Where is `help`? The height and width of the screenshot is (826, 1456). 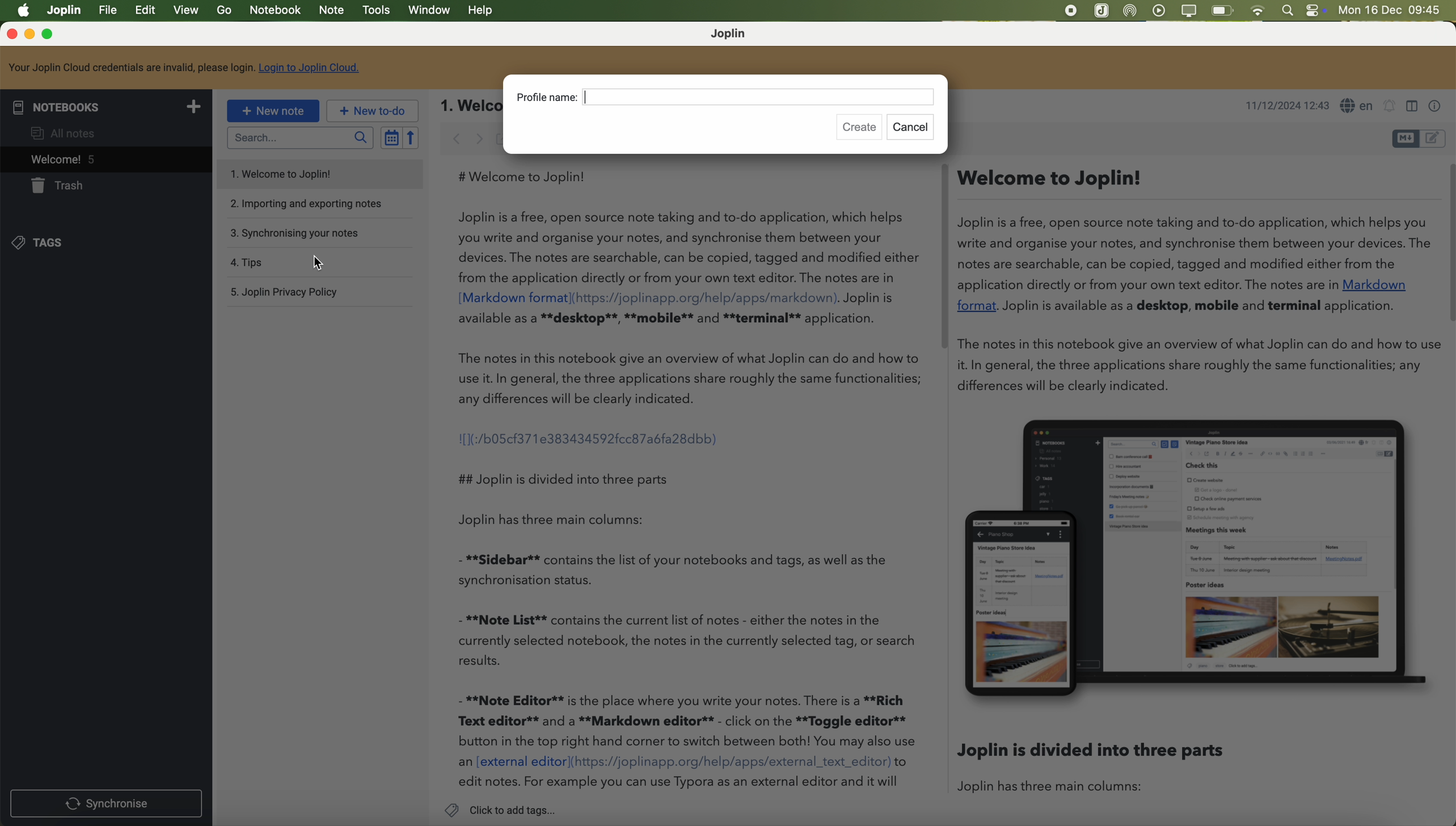
help is located at coordinates (482, 11).